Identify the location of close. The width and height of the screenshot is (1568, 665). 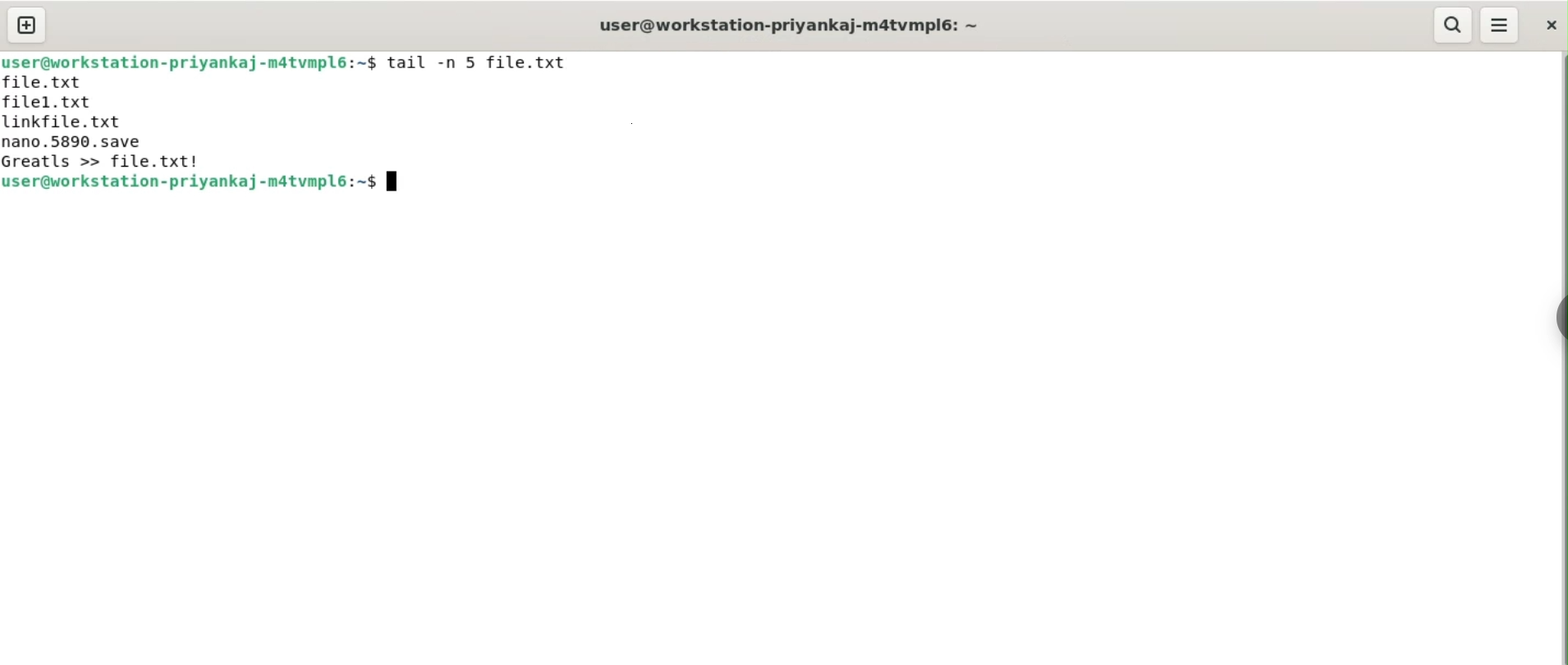
(1550, 26).